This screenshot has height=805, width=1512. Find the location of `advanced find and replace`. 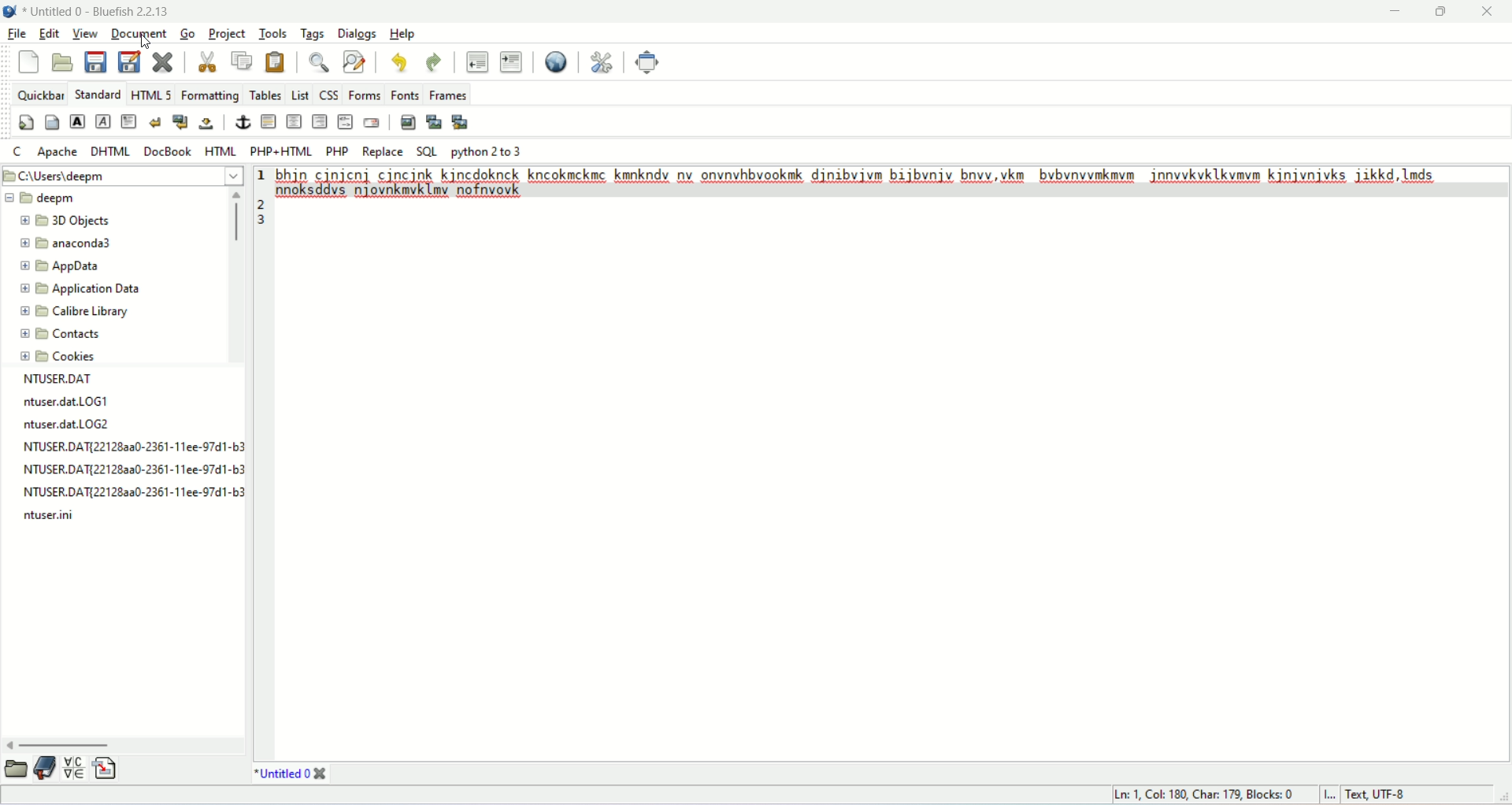

advanced find and replace is located at coordinates (353, 63).